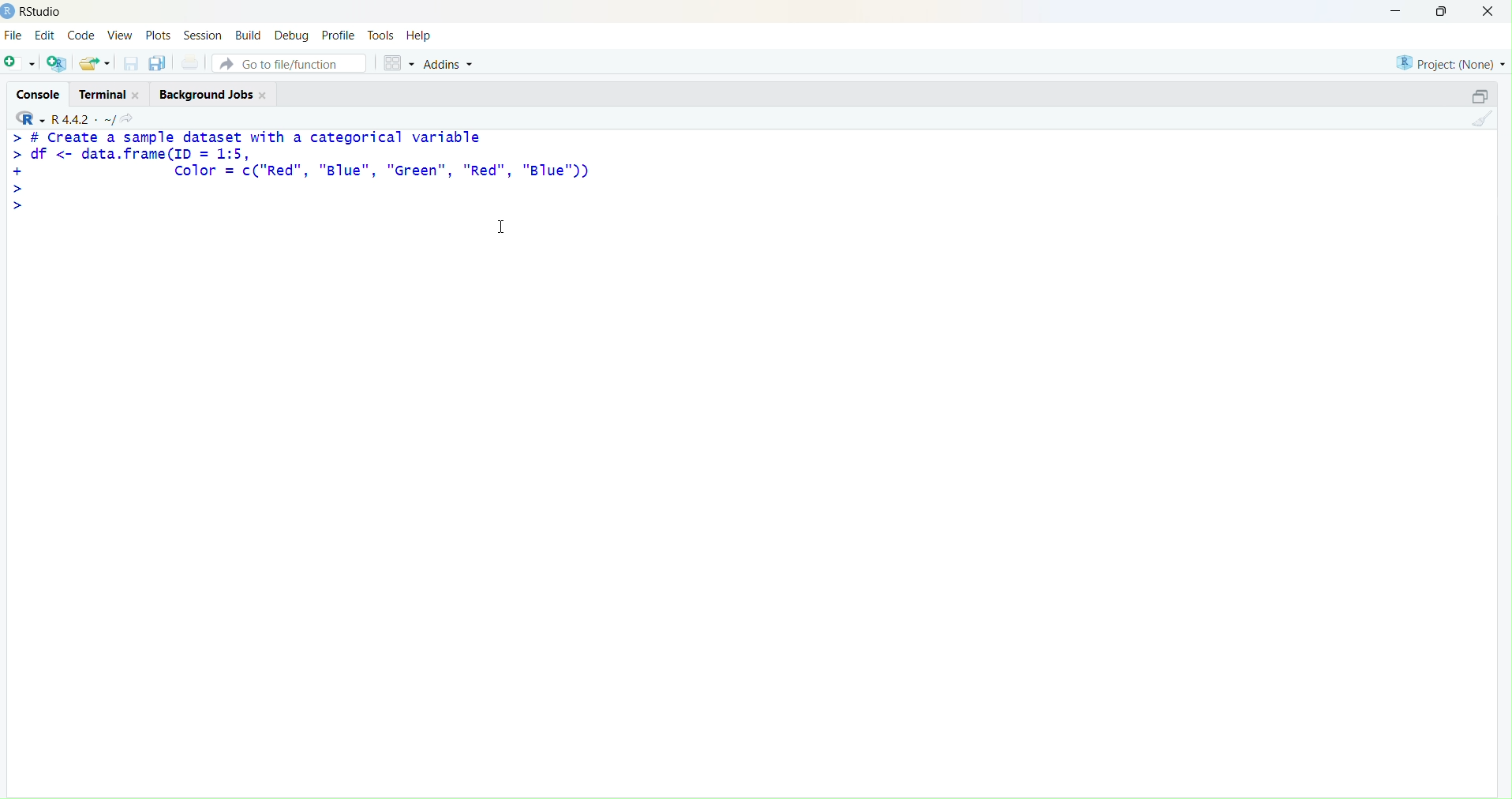  What do you see at coordinates (1480, 96) in the screenshot?
I see `open in separate window ` at bounding box center [1480, 96].